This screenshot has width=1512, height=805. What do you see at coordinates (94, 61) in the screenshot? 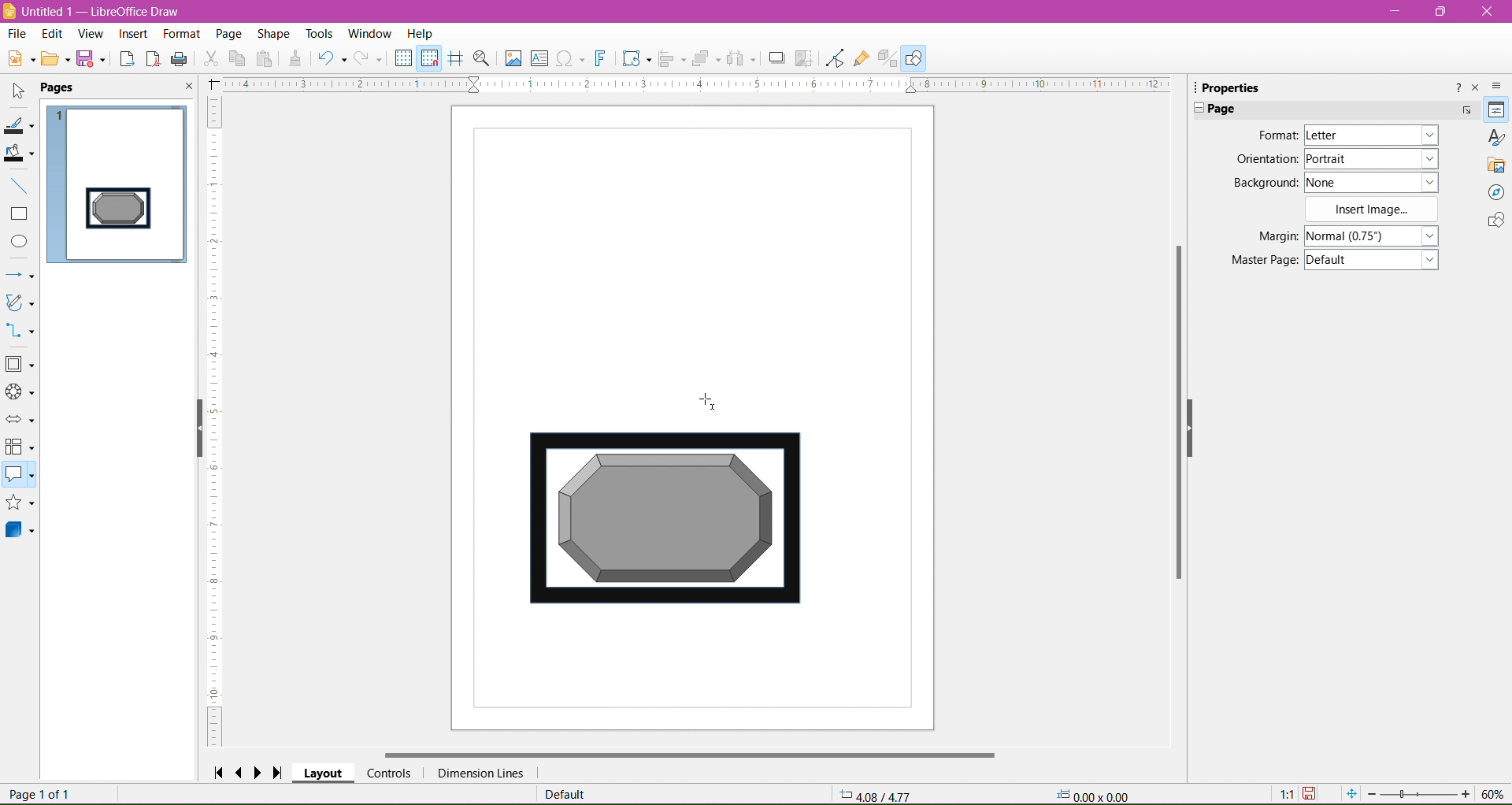
I see `Save` at bounding box center [94, 61].